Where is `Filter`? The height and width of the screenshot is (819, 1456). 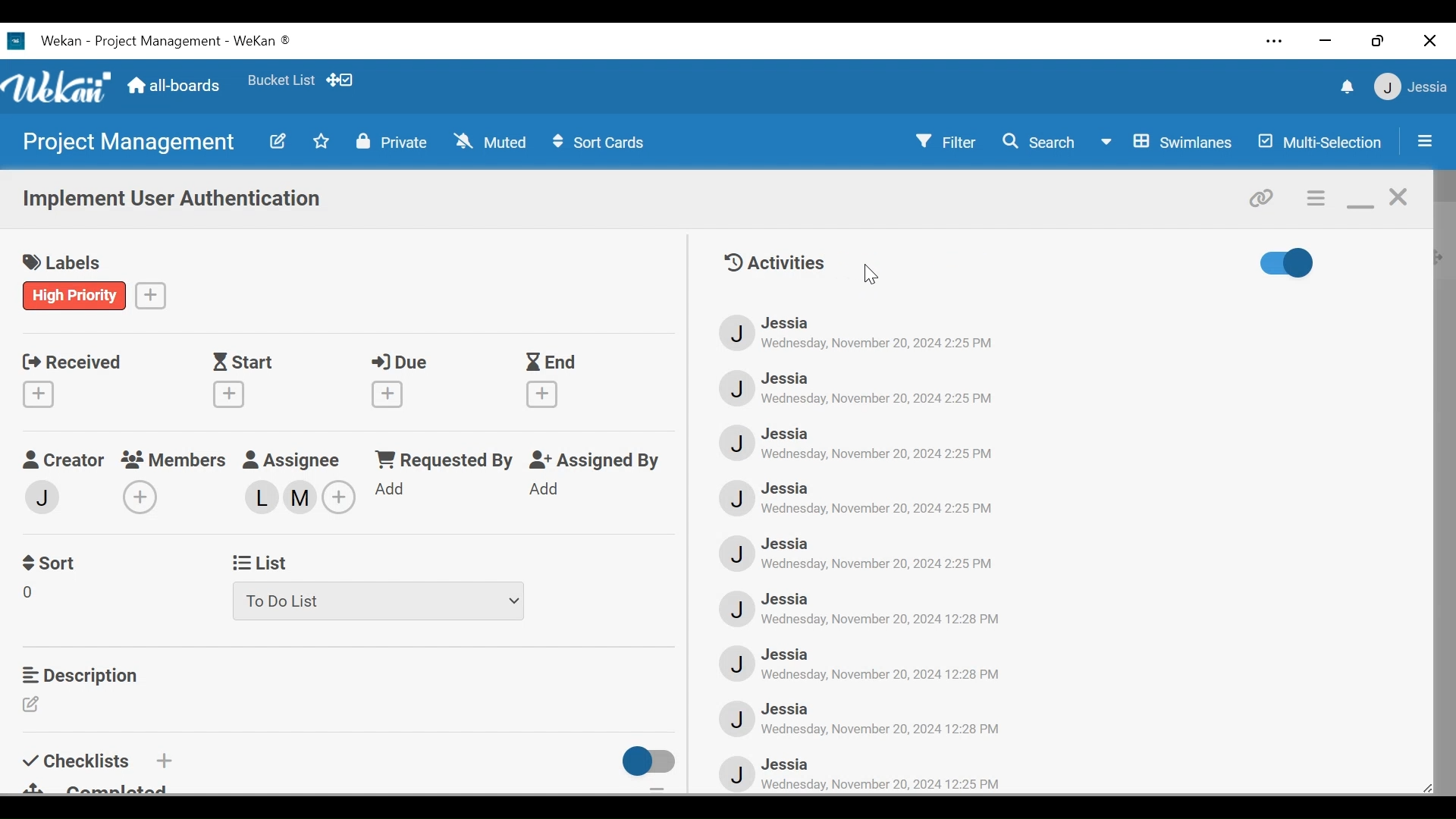 Filter is located at coordinates (948, 142).